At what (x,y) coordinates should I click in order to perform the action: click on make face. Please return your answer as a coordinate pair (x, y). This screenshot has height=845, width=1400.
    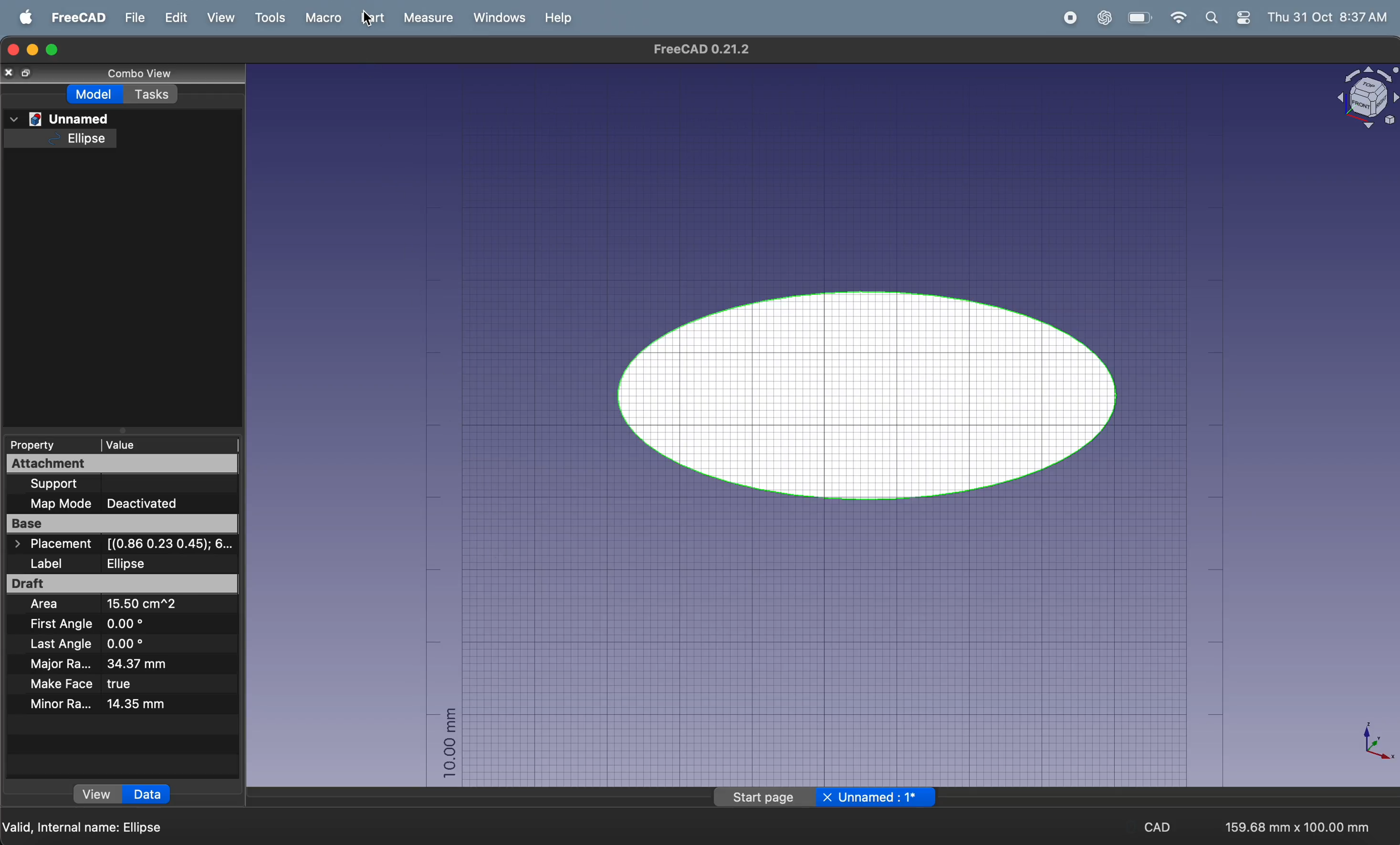
    Looking at the image, I should click on (97, 684).